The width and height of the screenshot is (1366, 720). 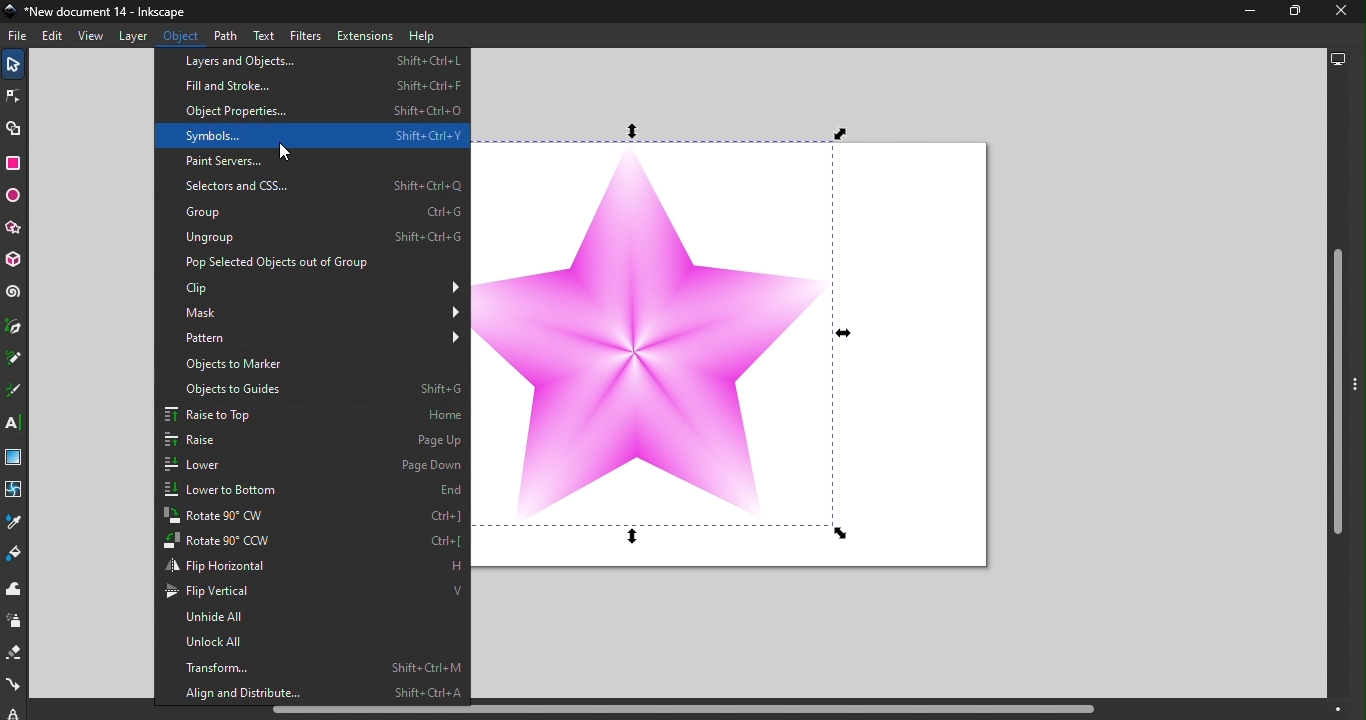 I want to click on Selectors and CSS, so click(x=313, y=186).